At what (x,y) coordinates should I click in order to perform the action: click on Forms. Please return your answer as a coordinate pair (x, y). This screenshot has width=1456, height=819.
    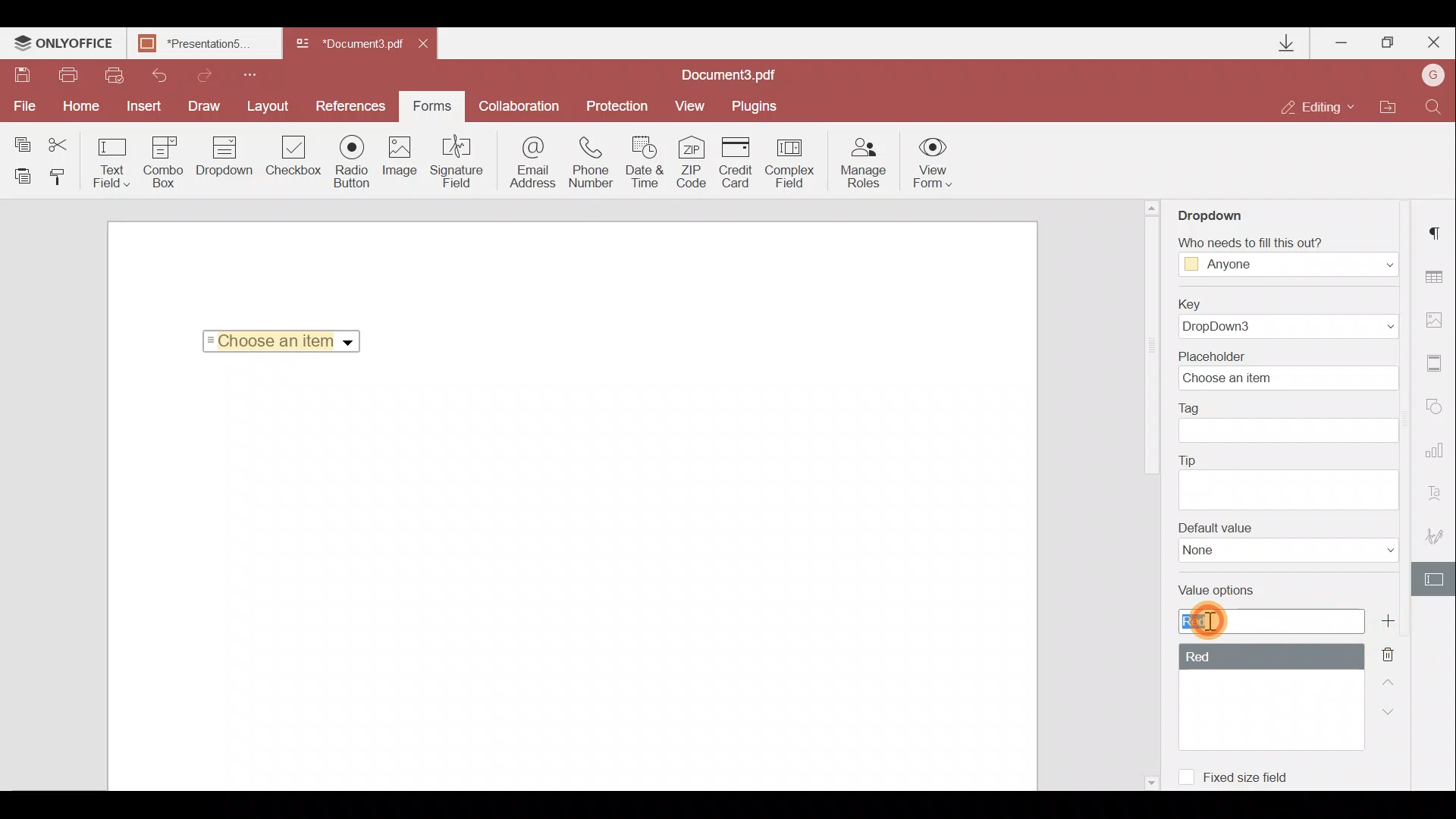
    Looking at the image, I should click on (432, 106).